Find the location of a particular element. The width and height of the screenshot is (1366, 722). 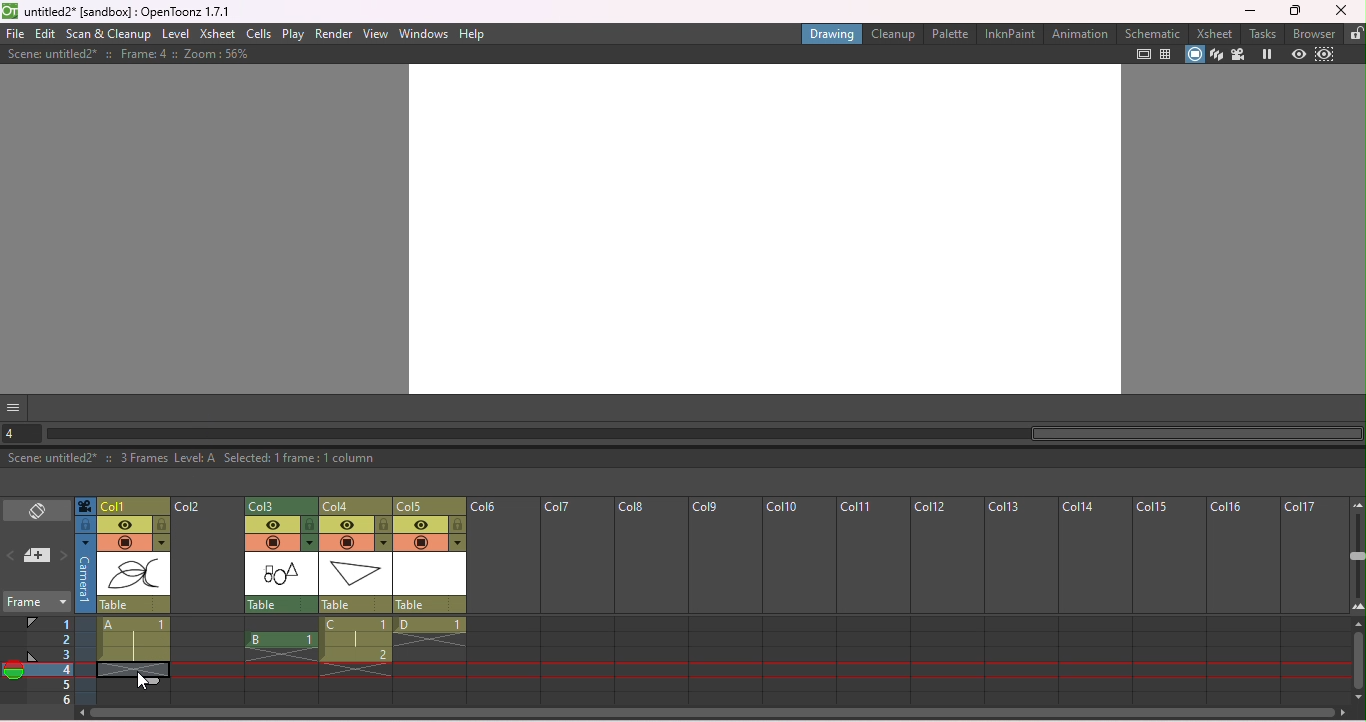

Palette is located at coordinates (951, 33).